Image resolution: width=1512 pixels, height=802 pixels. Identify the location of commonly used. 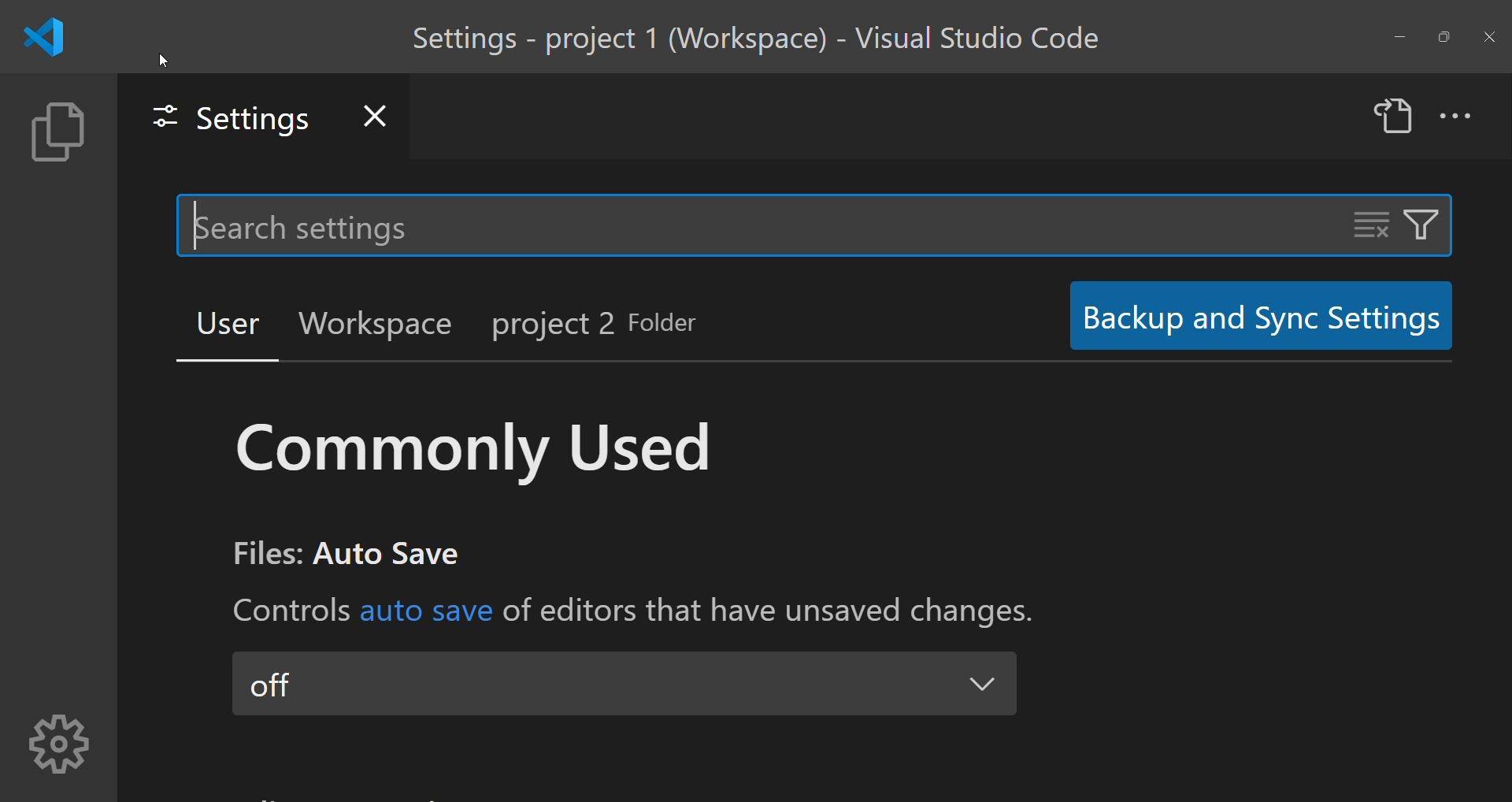
(499, 444).